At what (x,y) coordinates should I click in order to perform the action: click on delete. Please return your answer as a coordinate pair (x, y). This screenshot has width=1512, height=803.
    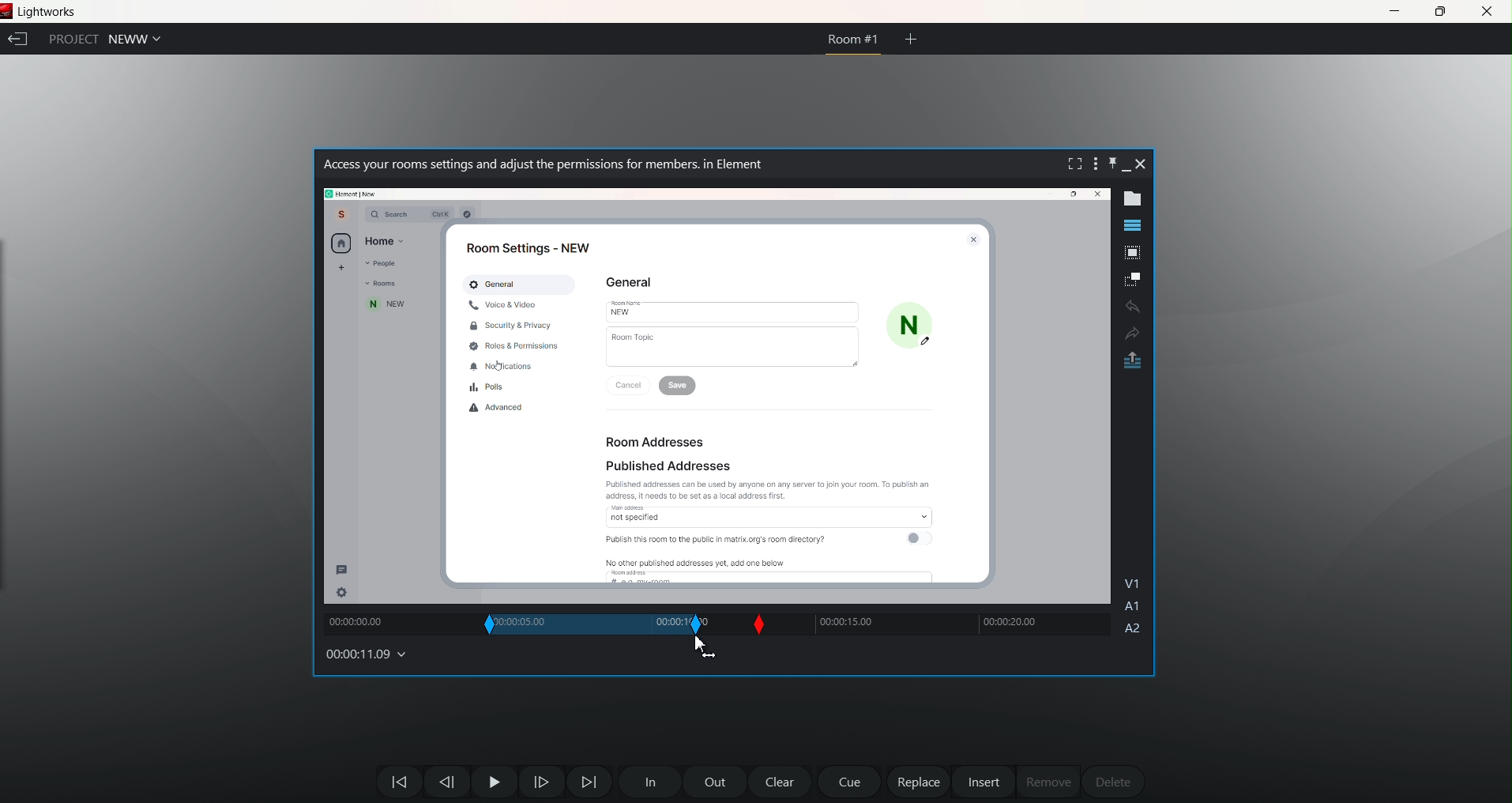
    Looking at the image, I should click on (1113, 781).